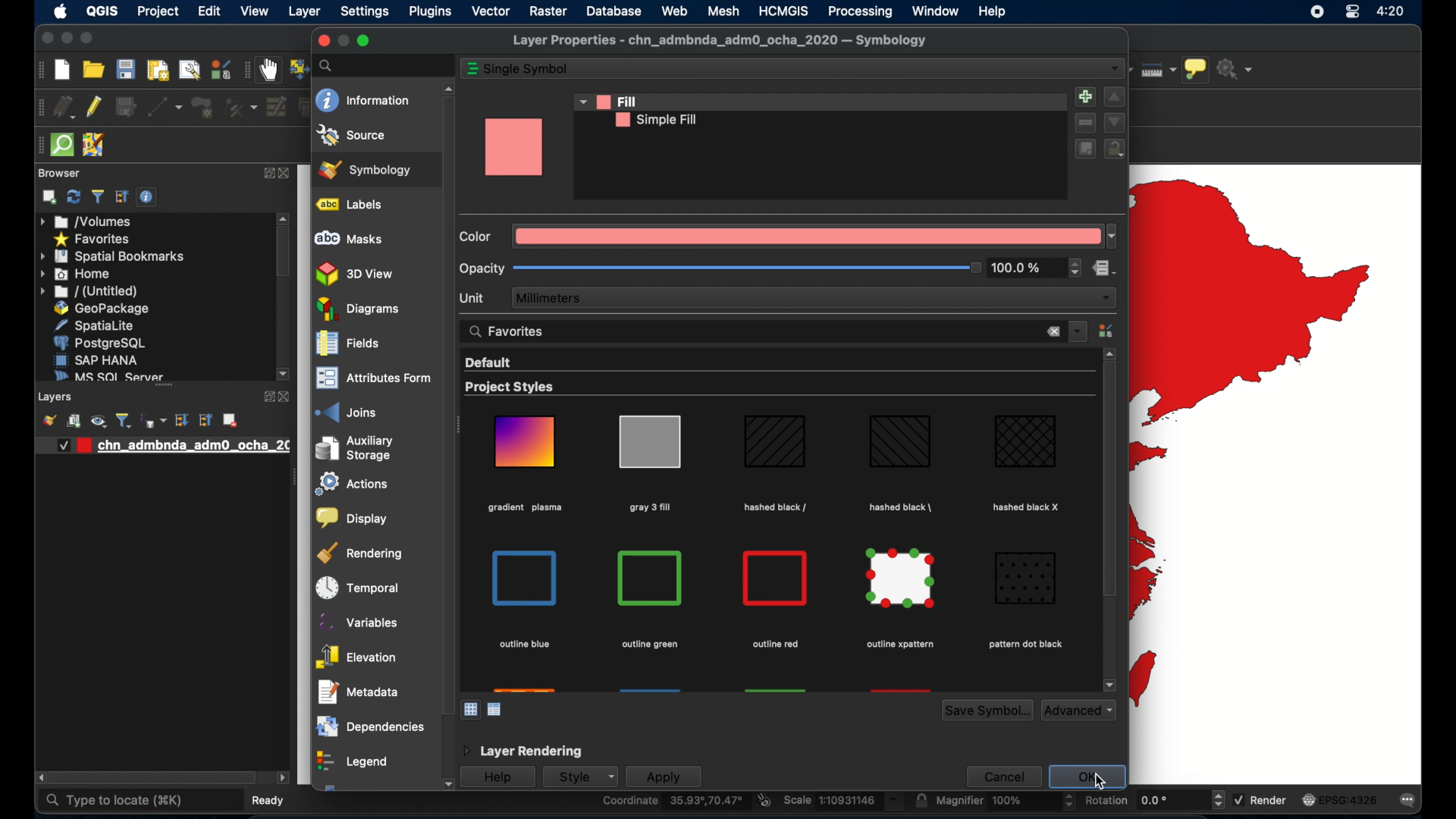 The image size is (1456, 819). I want to click on hashed black \, so click(902, 505).